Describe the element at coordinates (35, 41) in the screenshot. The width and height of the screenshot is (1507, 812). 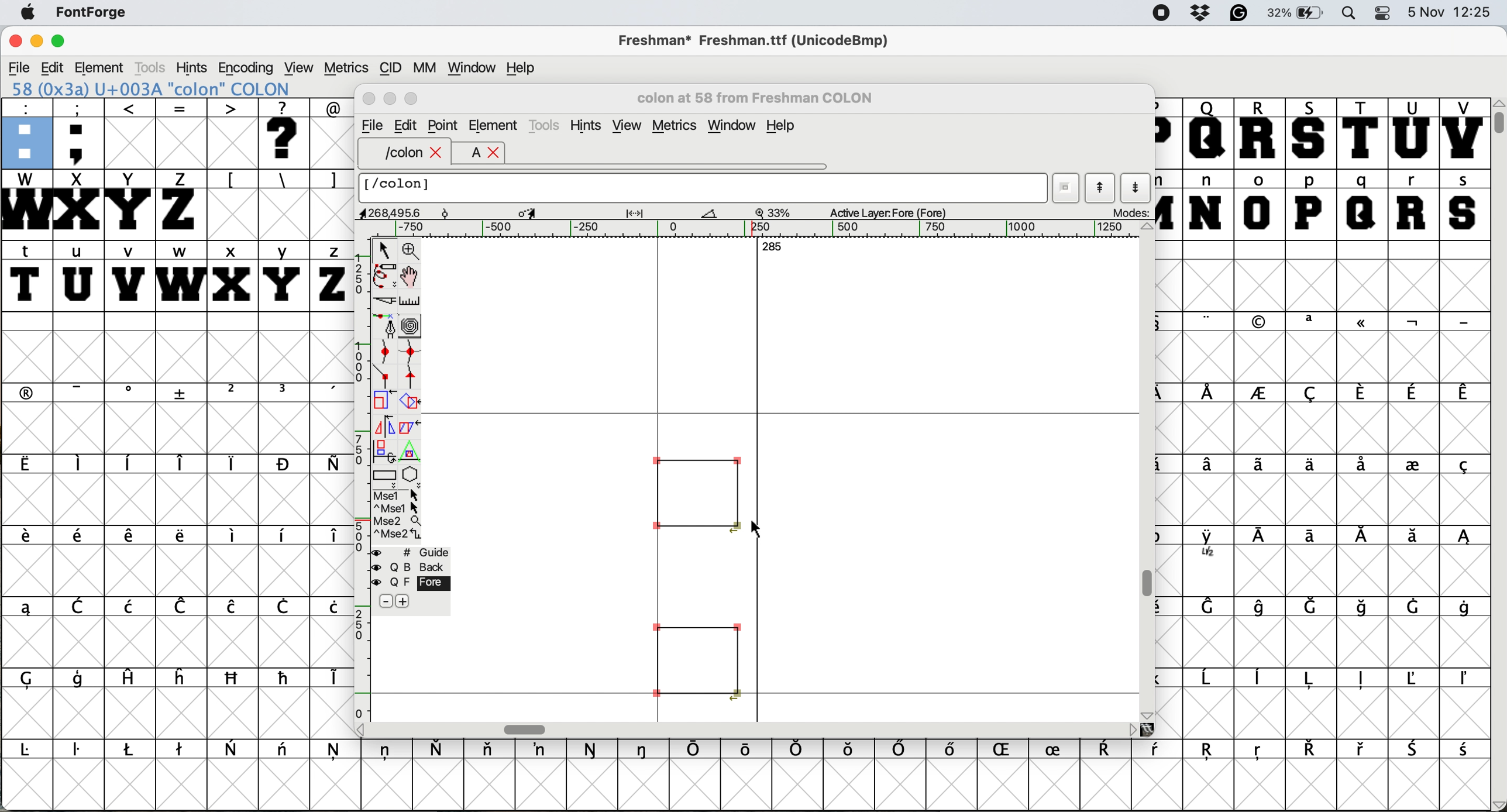
I see `minimise` at that location.